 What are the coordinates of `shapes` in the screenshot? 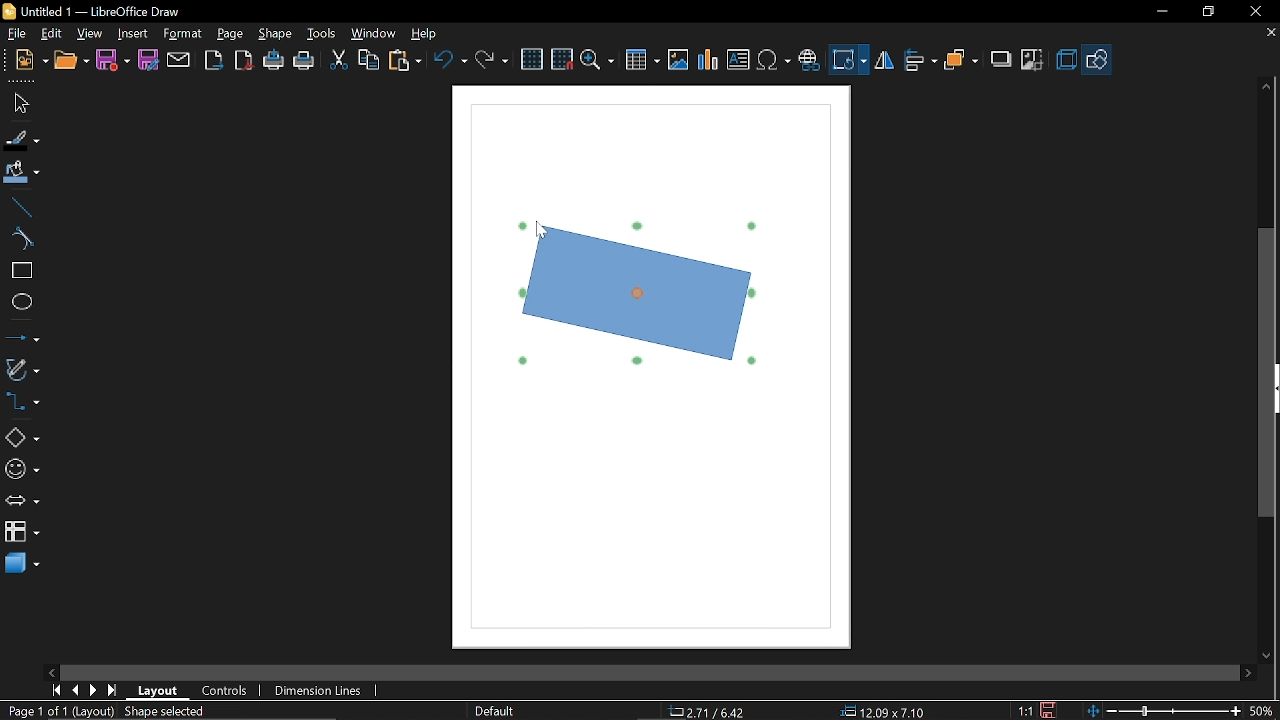 It's located at (1098, 59).